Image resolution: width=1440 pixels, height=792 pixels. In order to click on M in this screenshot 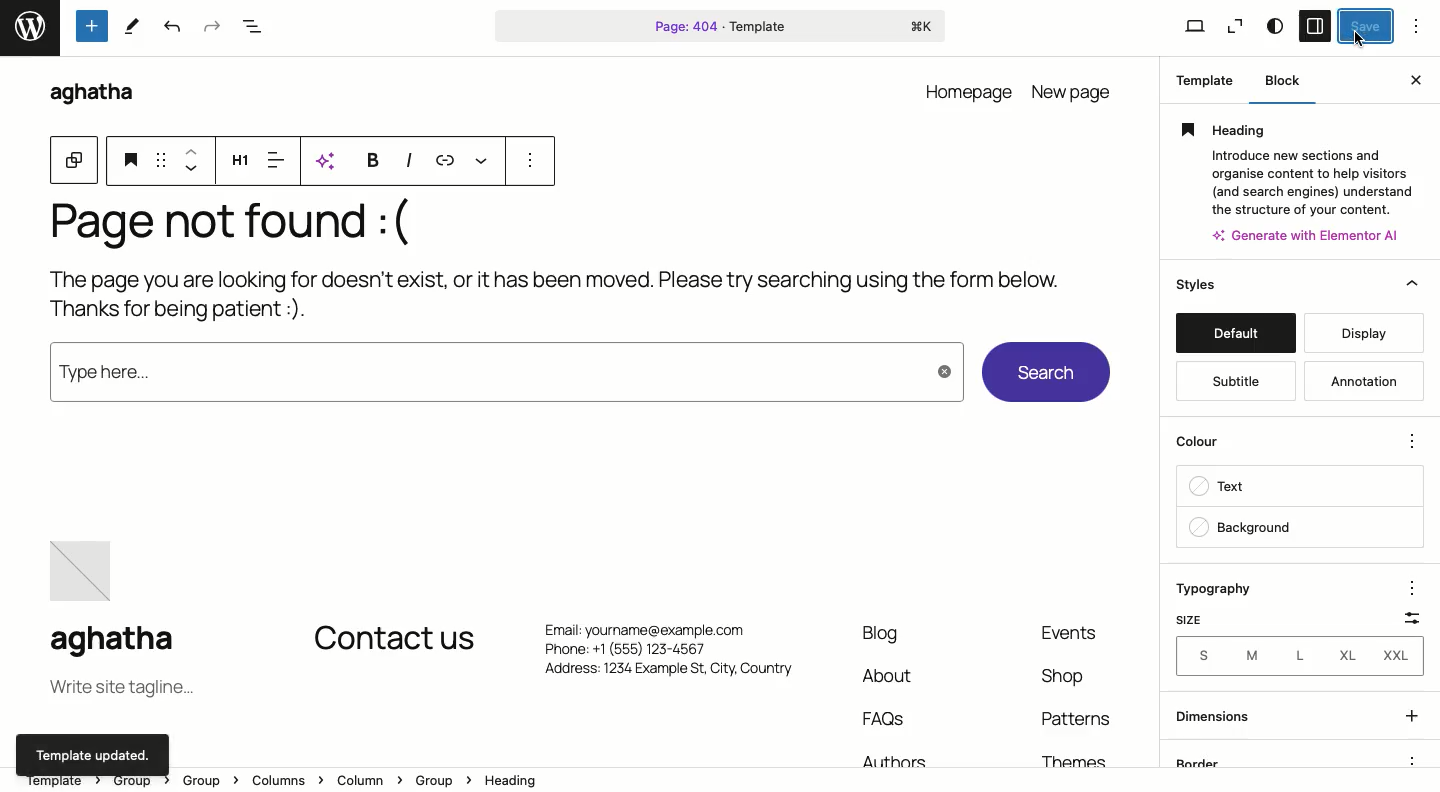, I will do `click(1248, 655)`.